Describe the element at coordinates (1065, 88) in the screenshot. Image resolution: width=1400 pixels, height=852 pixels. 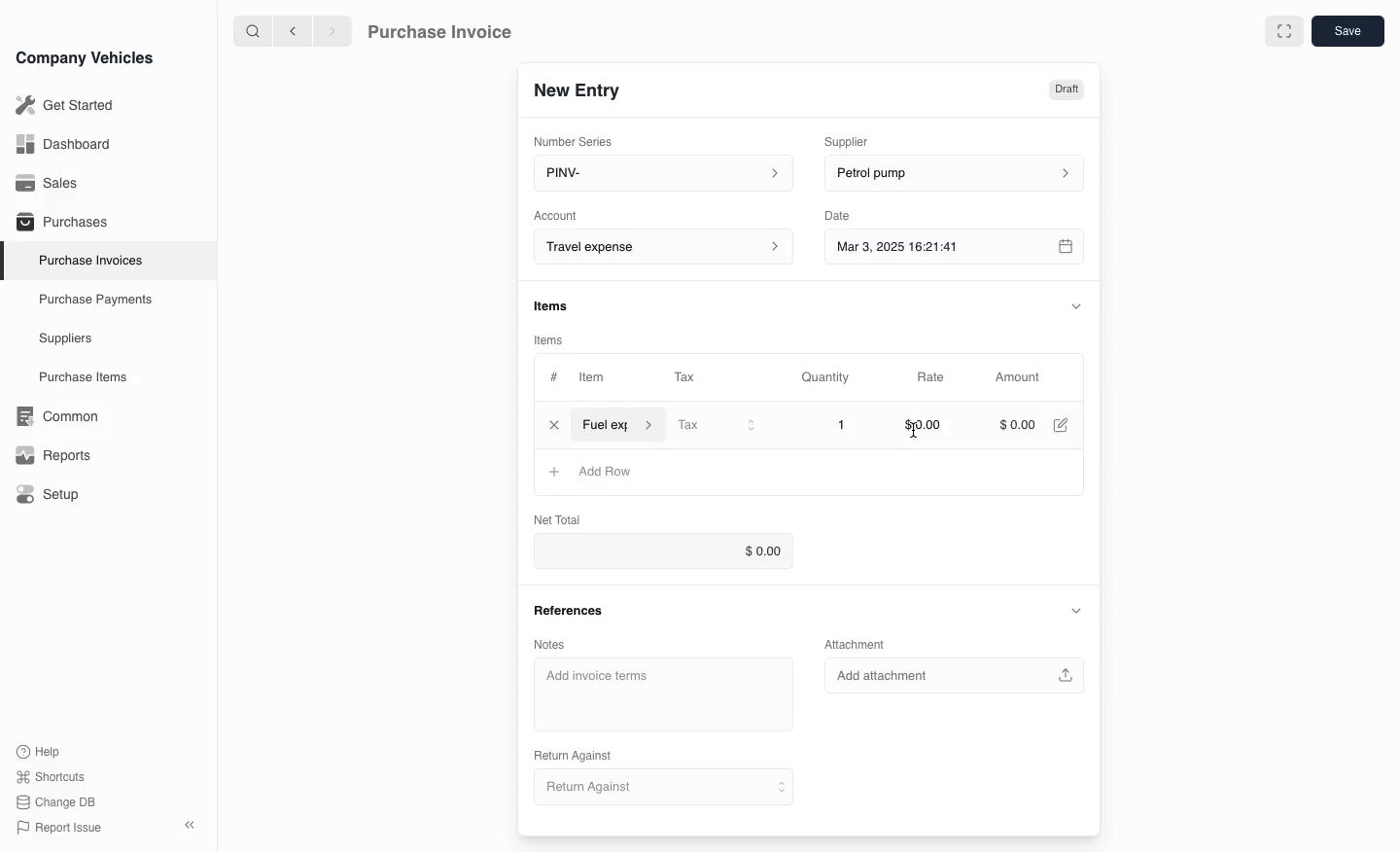
I see `Draft` at that location.